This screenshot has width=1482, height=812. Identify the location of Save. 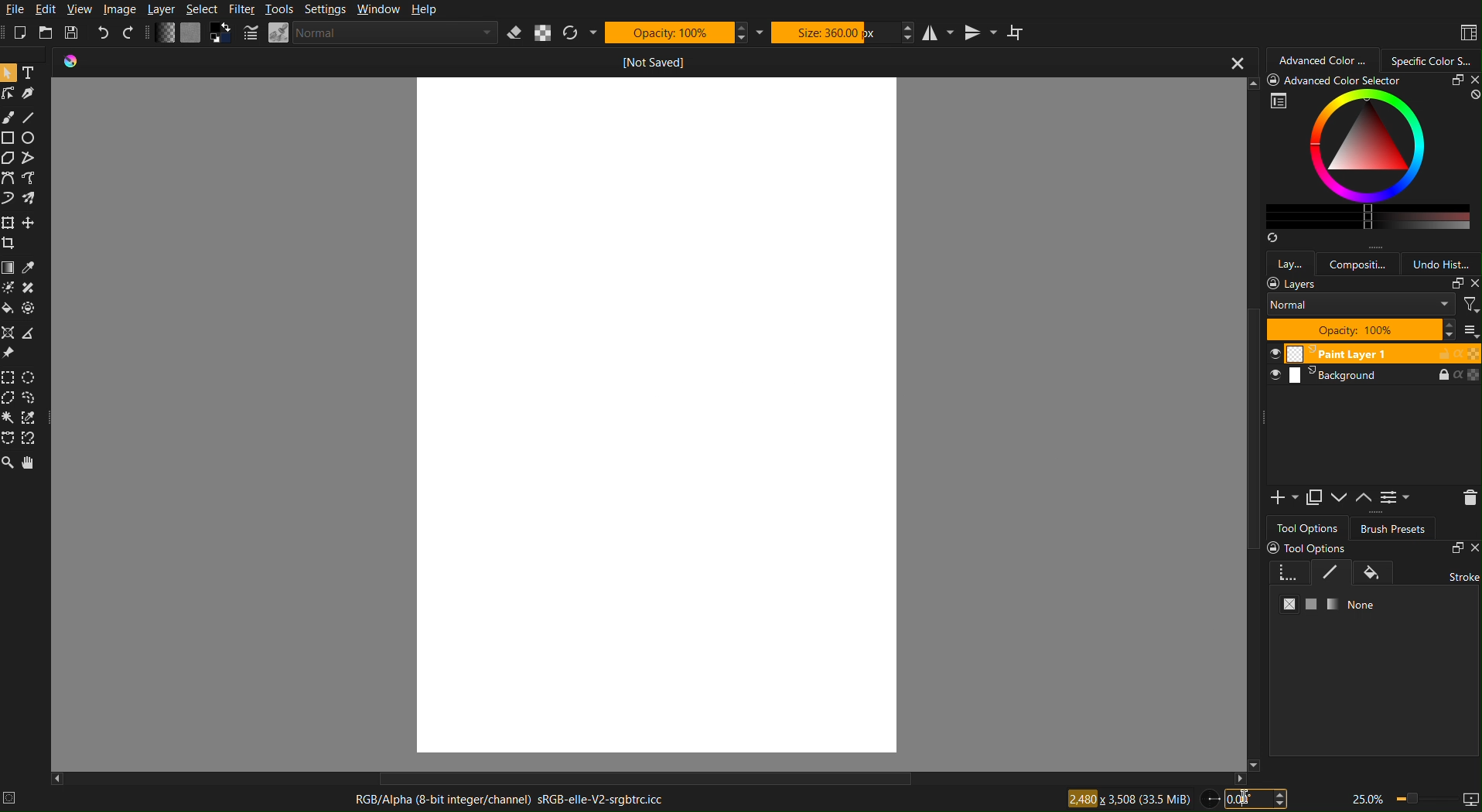
(71, 32).